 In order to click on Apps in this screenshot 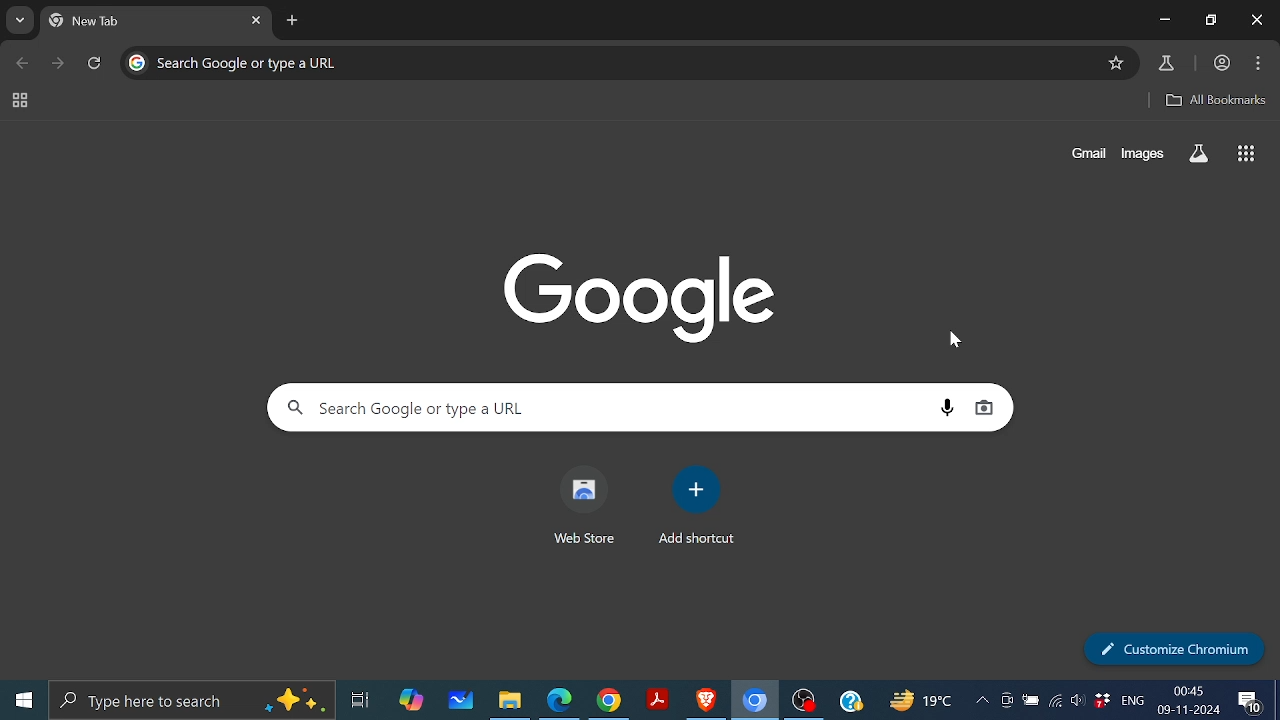, I will do `click(1248, 156)`.